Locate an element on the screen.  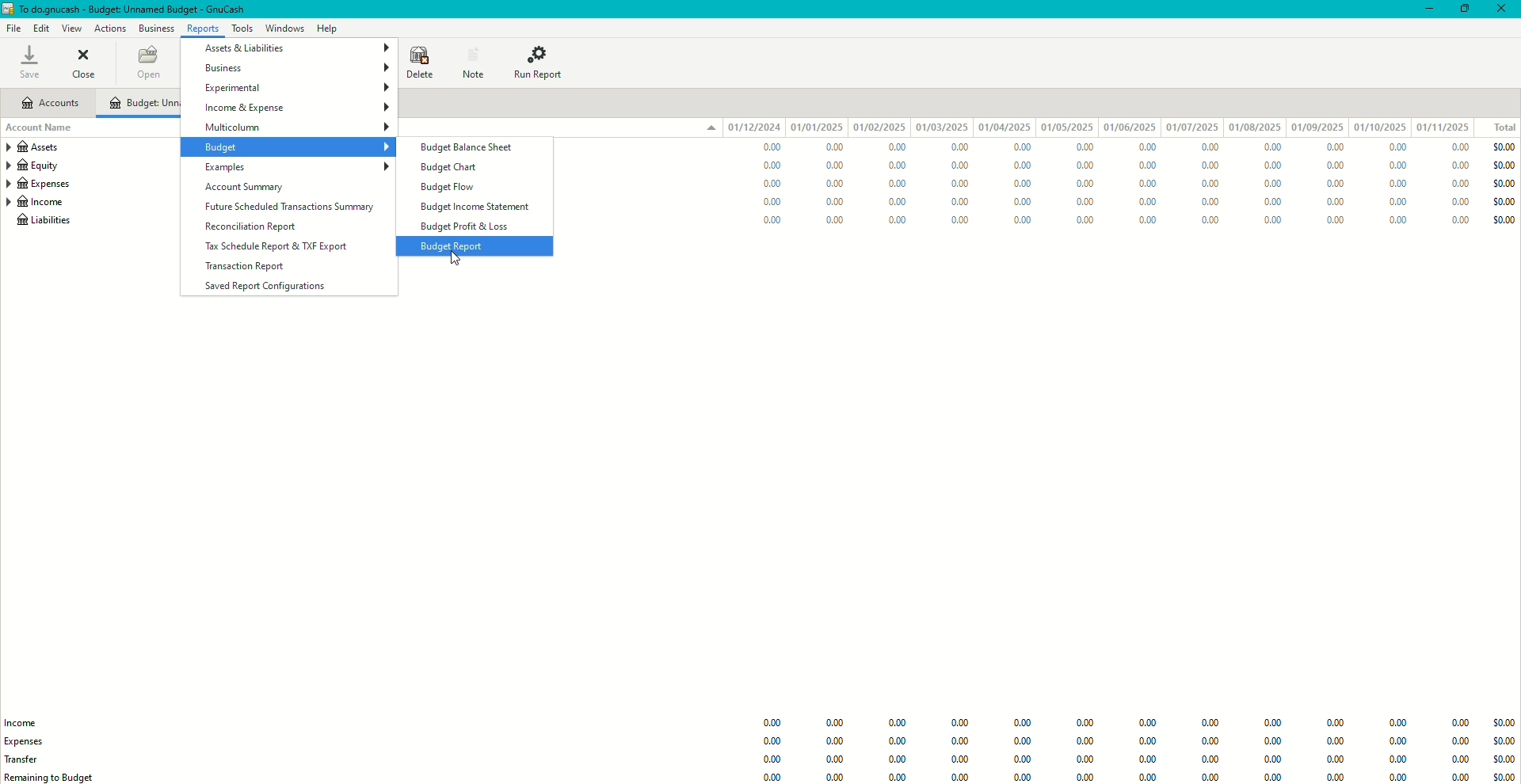
$0.00 is located at coordinates (1500, 760).